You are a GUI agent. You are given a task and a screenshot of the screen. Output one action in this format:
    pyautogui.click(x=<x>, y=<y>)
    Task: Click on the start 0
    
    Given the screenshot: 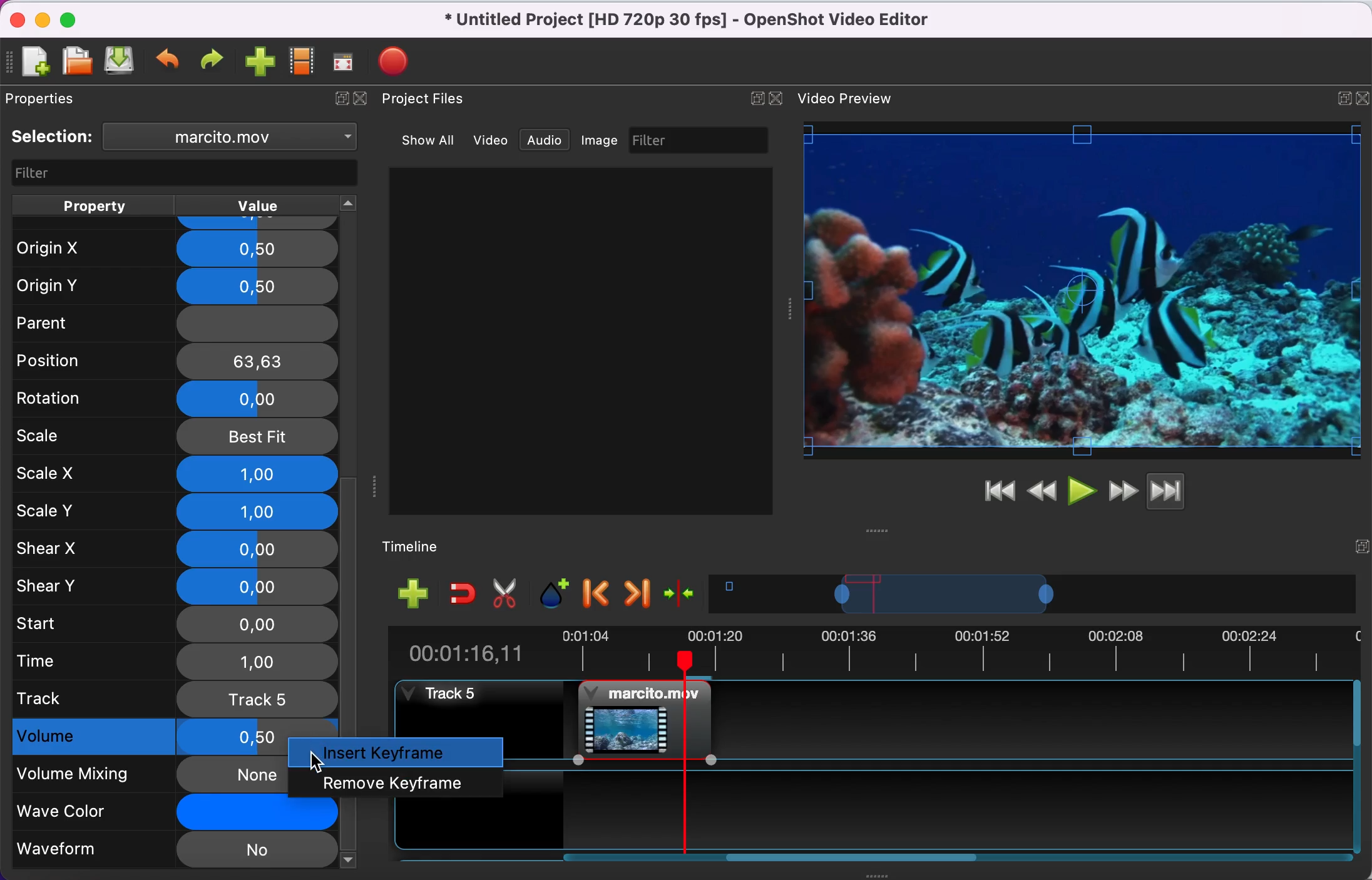 What is the action you would take?
    pyautogui.click(x=174, y=623)
    